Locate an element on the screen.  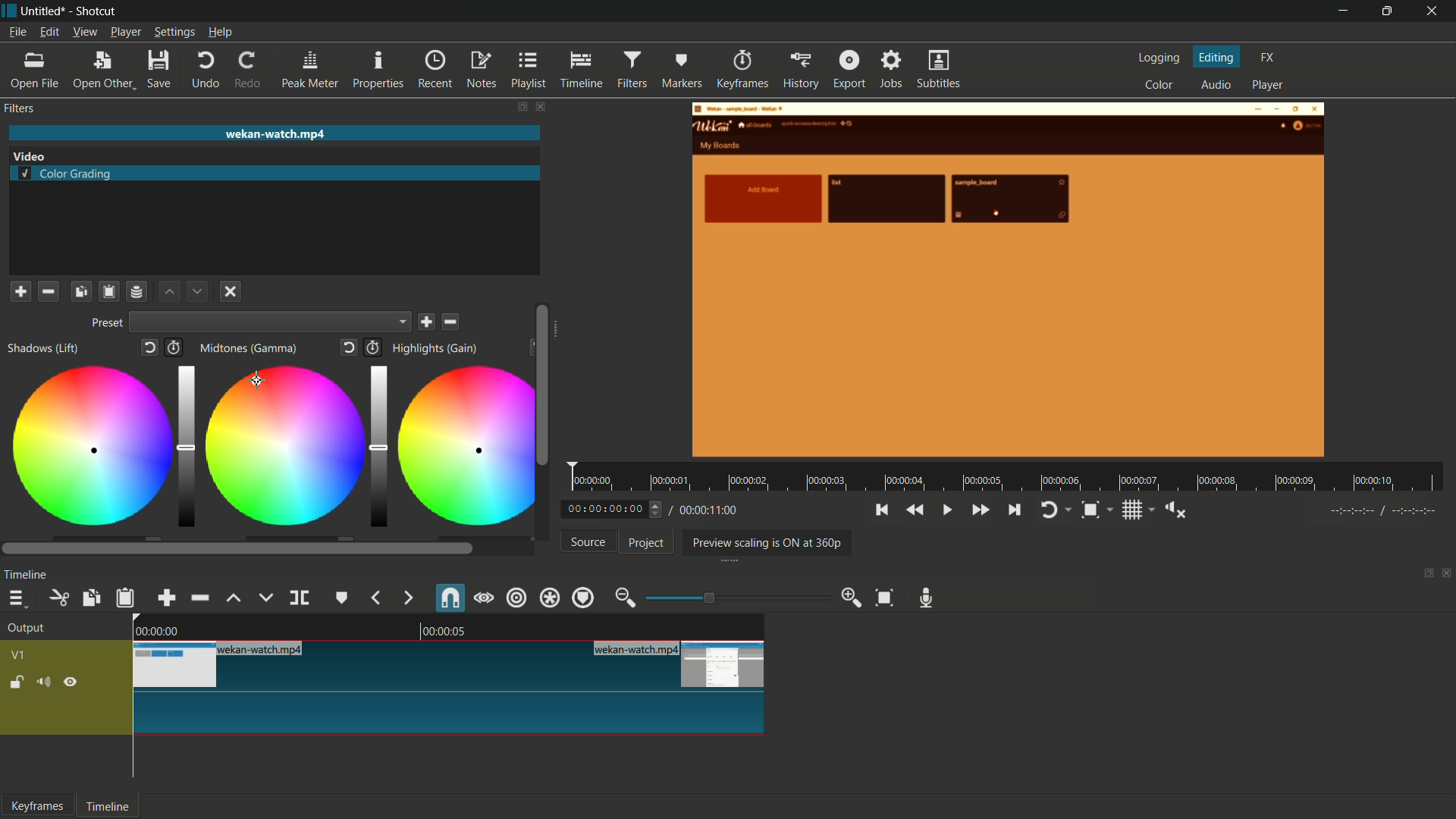
player menu is located at coordinates (125, 32).